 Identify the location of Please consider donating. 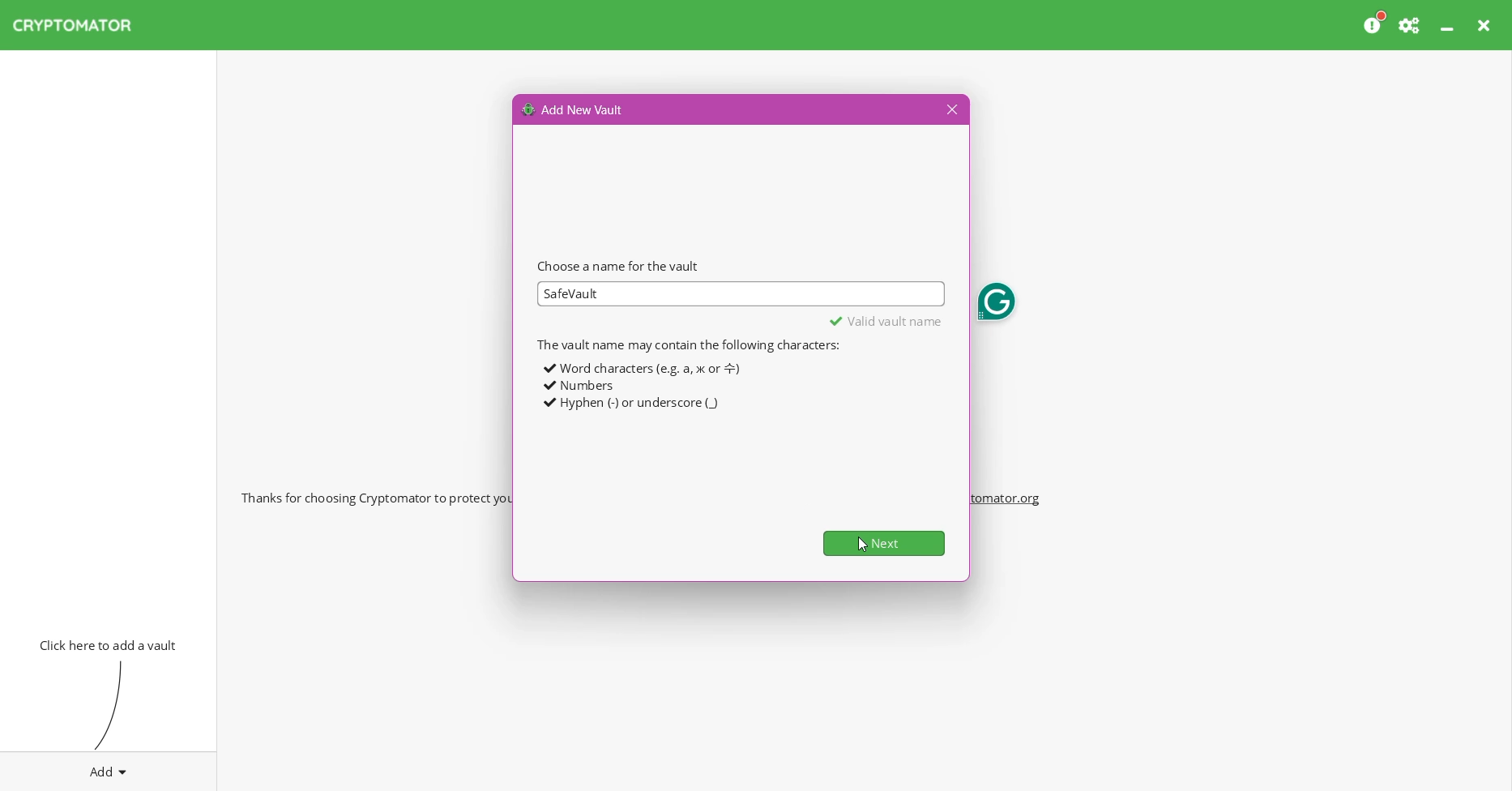
(1375, 24).